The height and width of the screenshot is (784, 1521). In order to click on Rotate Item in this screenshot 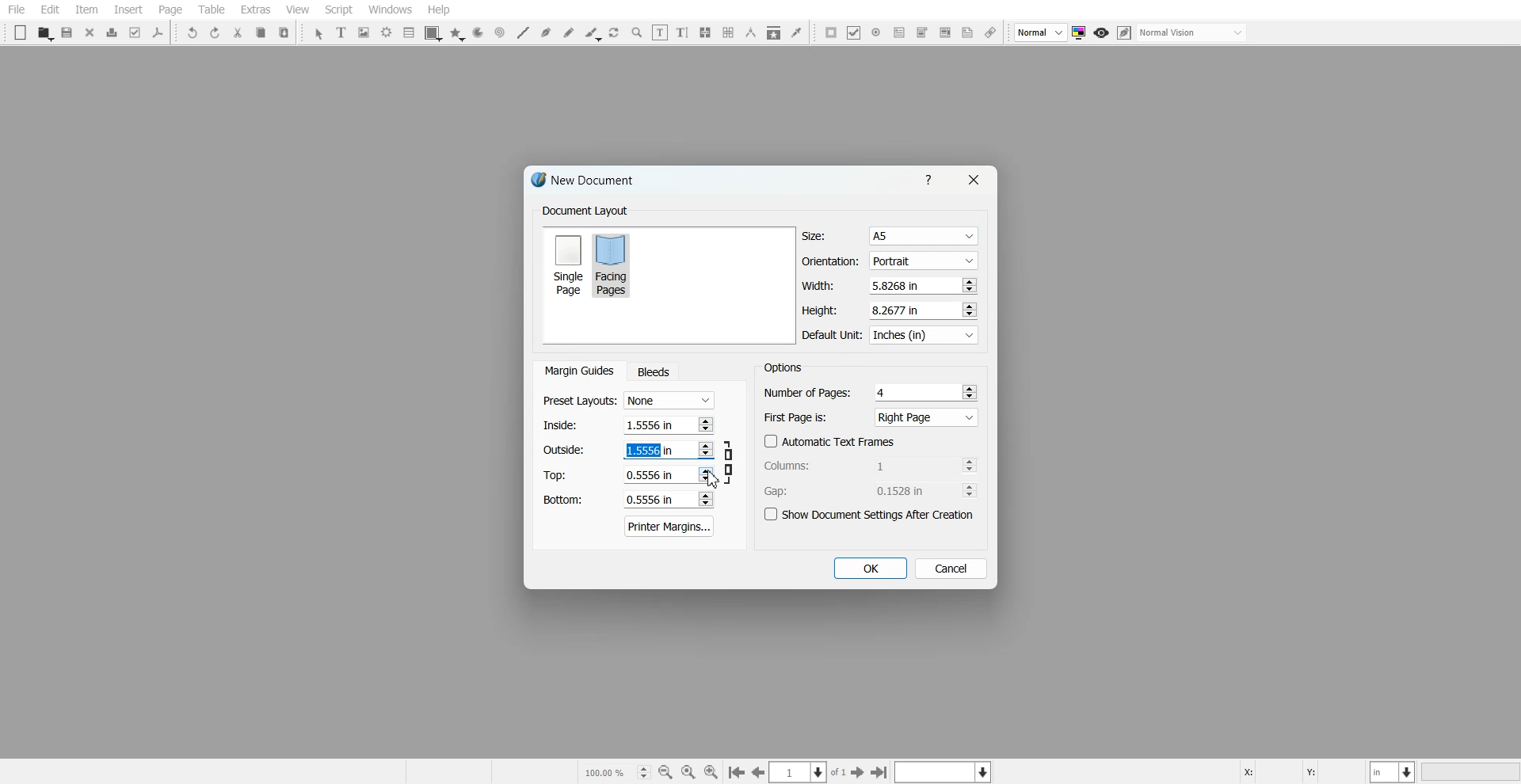, I will do `click(616, 33)`.